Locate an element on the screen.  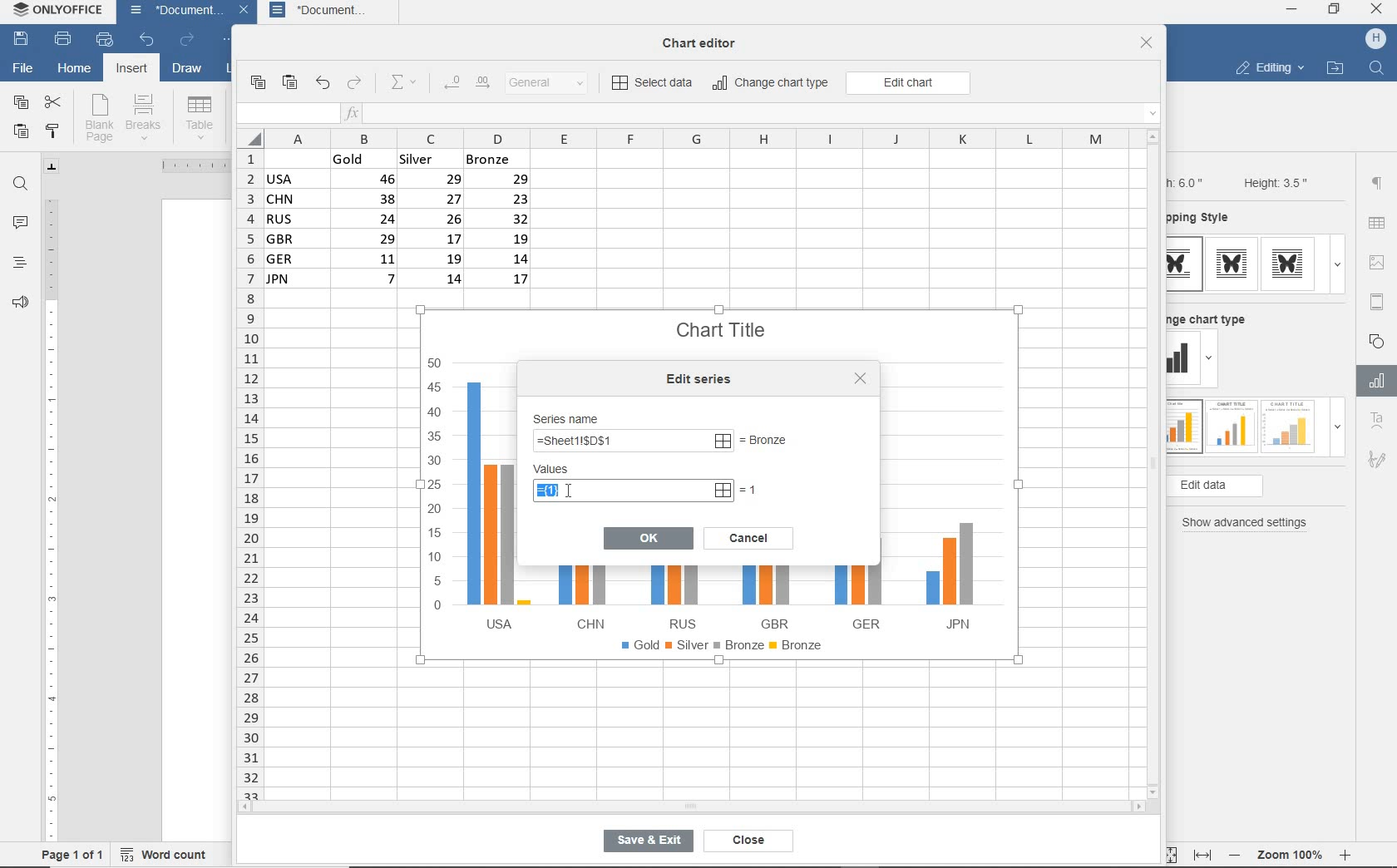
open file location is located at coordinates (1335, 69).